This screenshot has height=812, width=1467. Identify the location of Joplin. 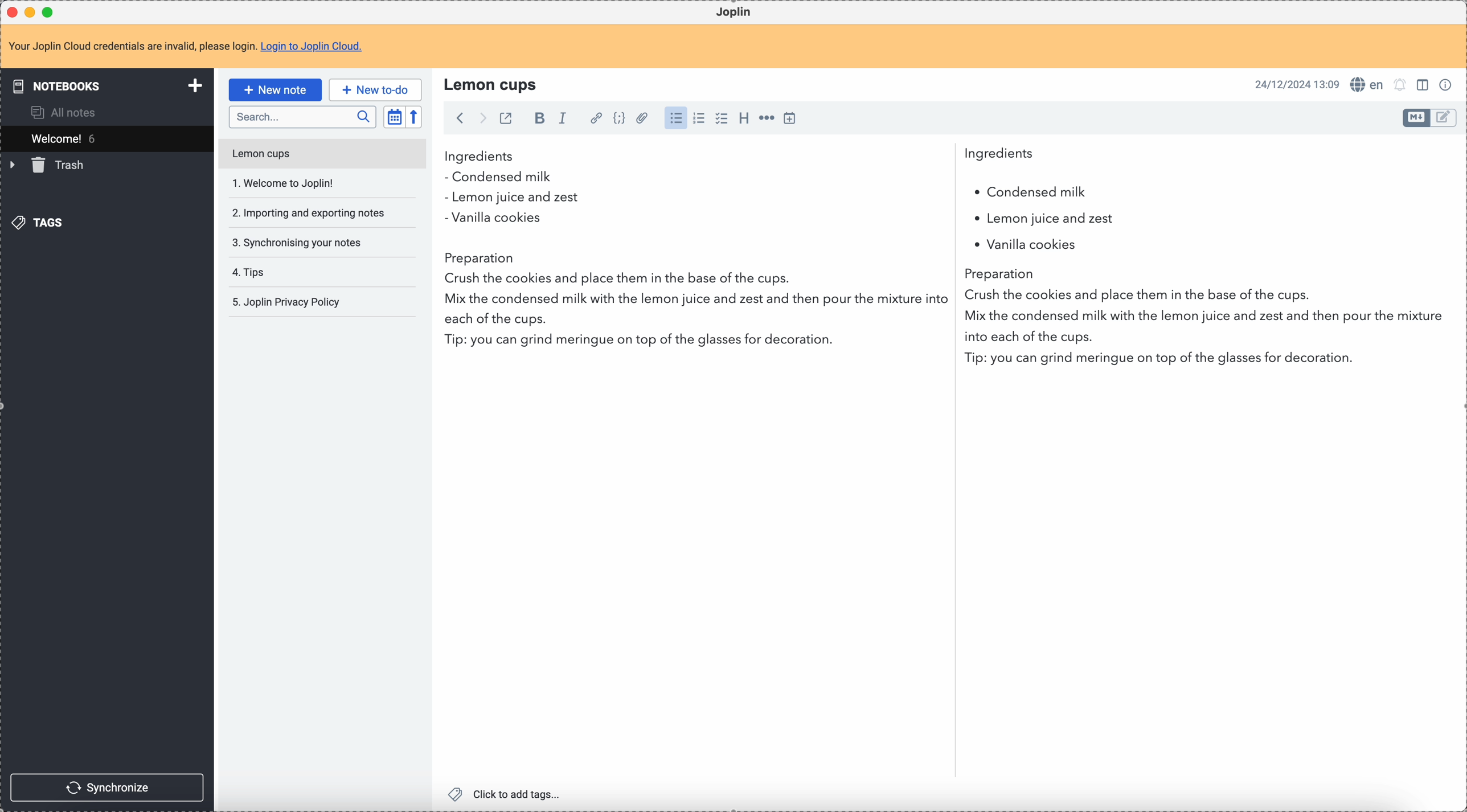
(733, 13).